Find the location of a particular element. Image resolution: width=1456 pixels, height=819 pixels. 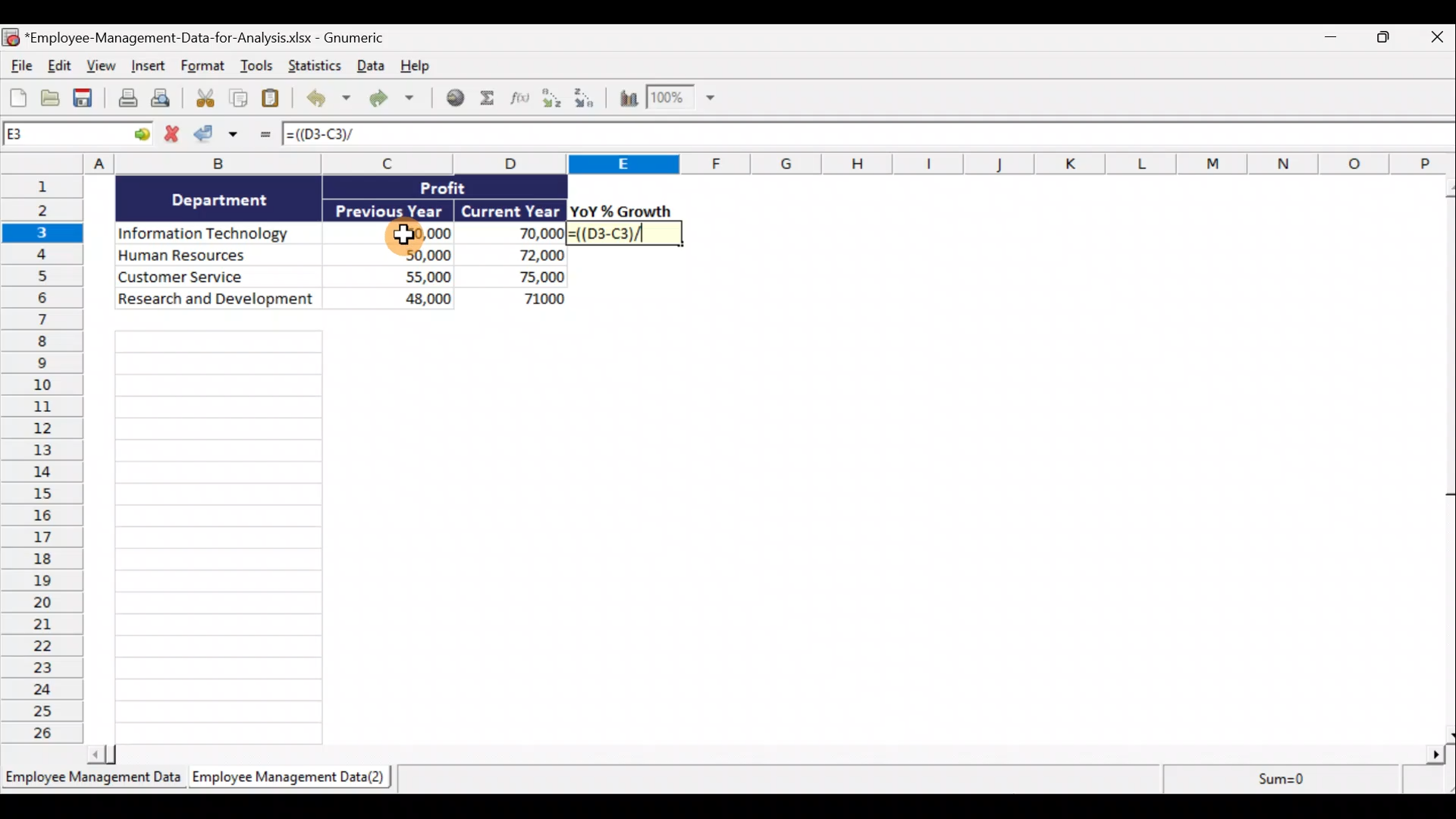

Sort Descending is located at coordinates (587, 100).